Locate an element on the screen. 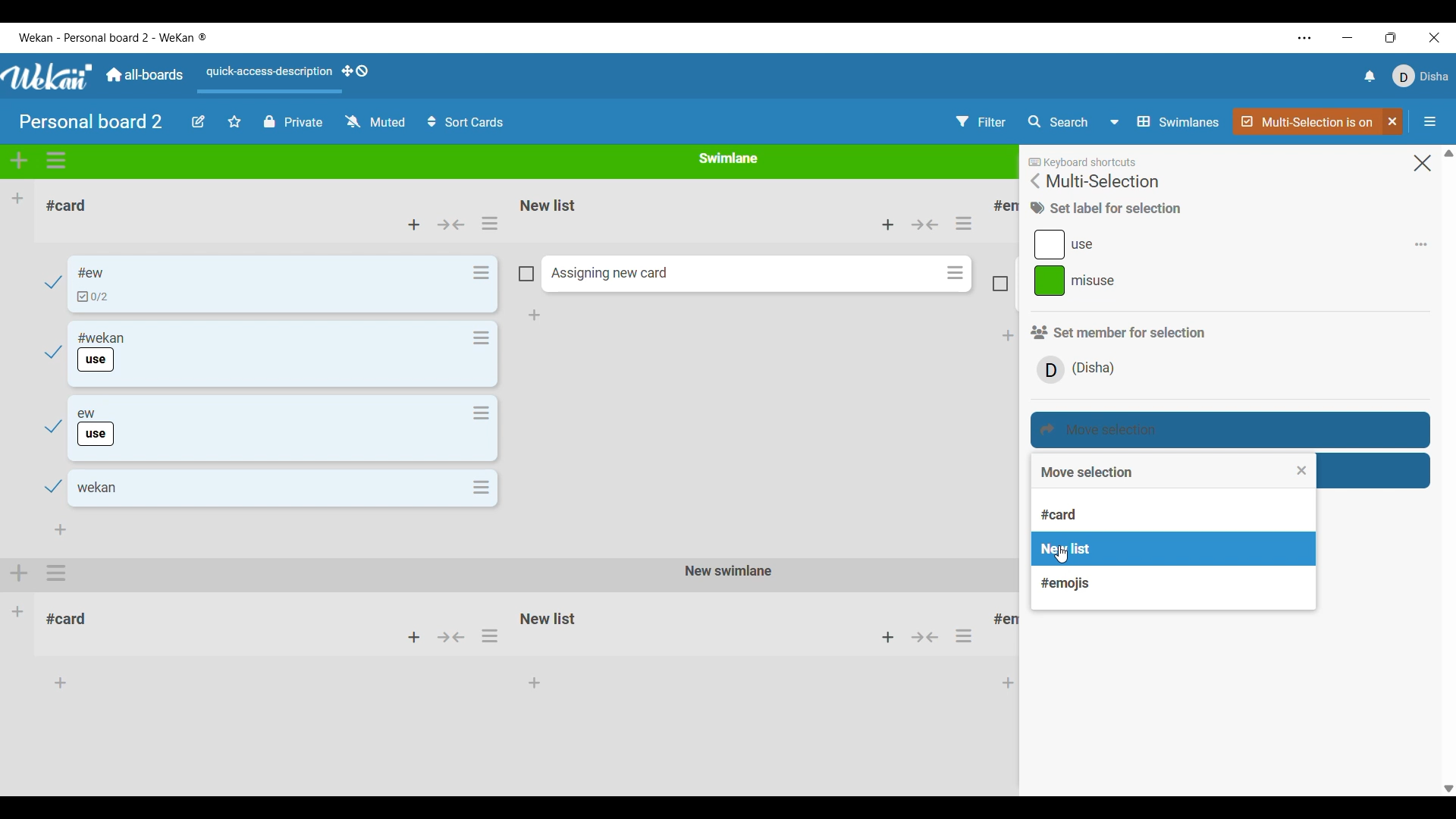 Image resolution: width=1456 pixels, height=819 pixels. Search is located at coordinates (1062, 121).